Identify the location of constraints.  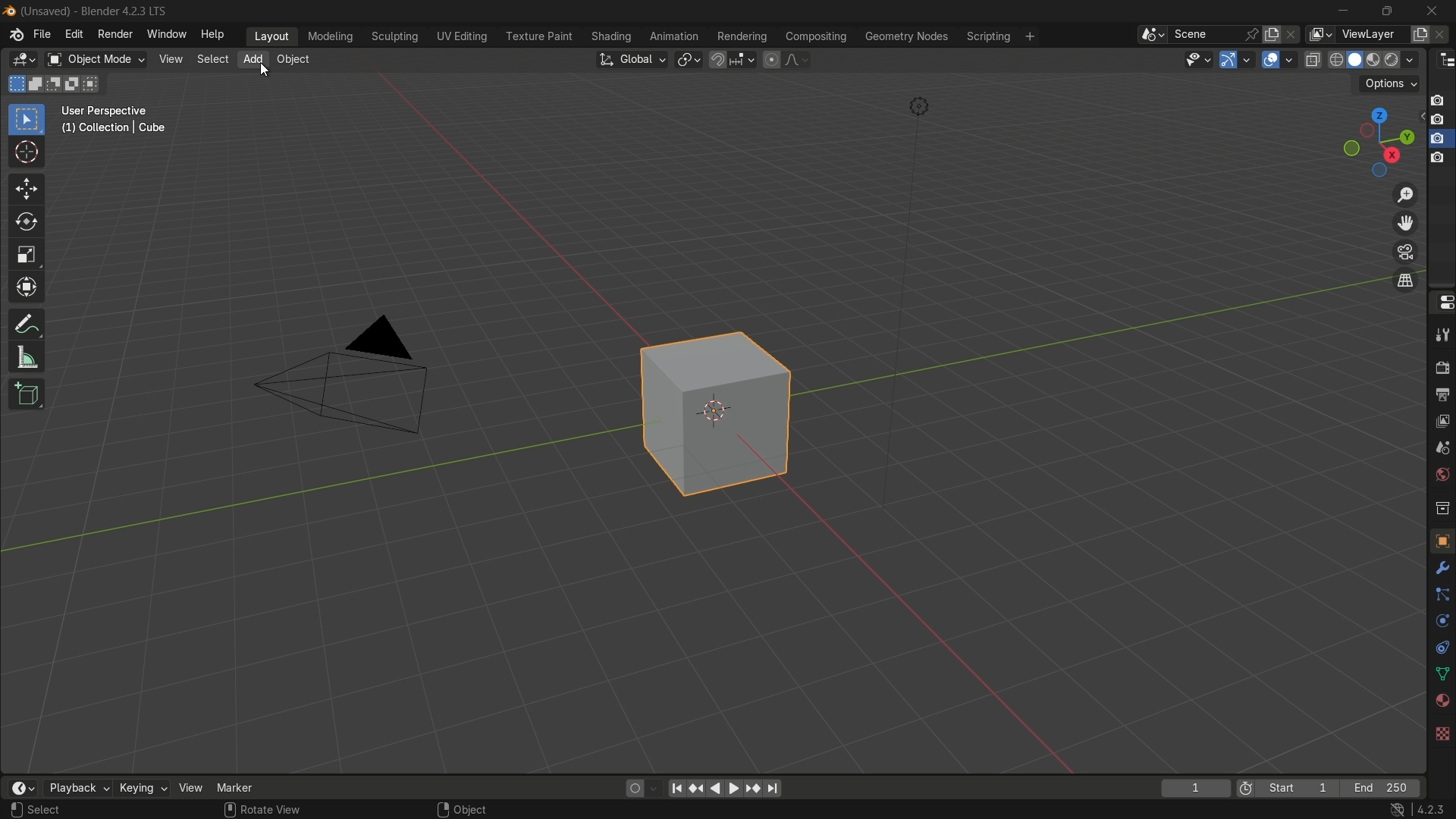
(1441, 648).